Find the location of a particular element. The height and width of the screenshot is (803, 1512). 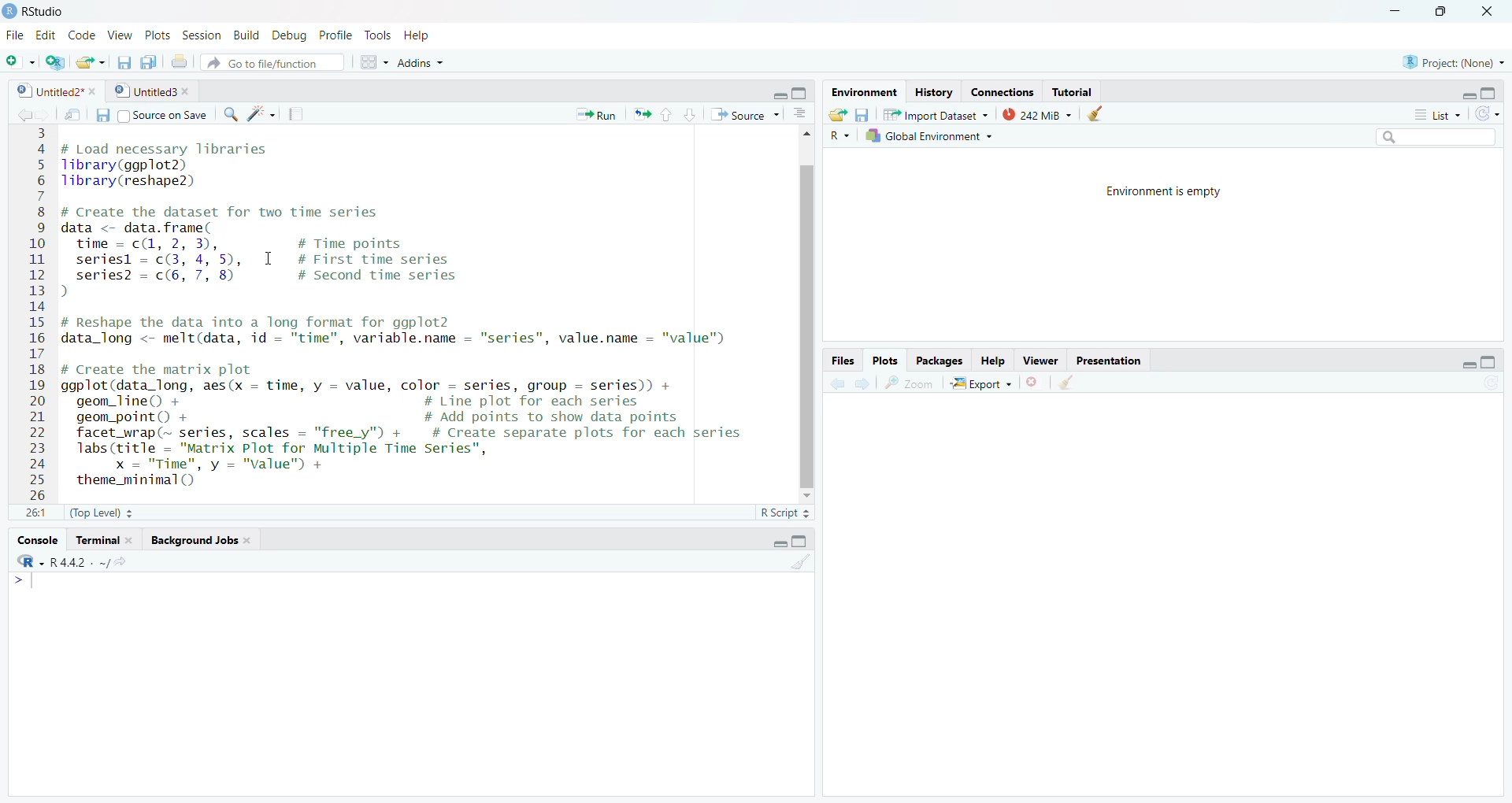

Files is located at coordinates (843, 361).